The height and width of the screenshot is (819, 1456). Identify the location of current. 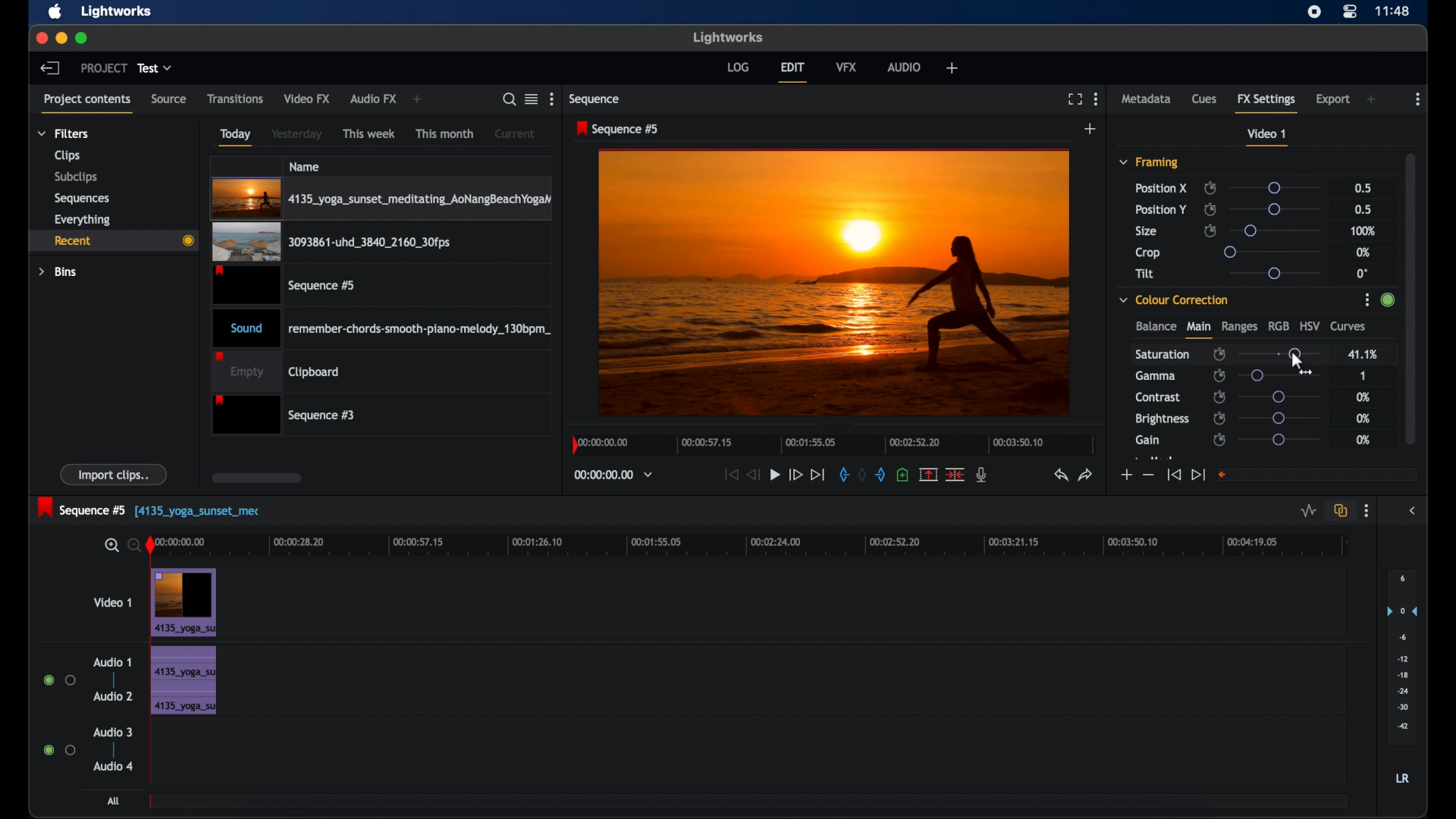
(515, 133).